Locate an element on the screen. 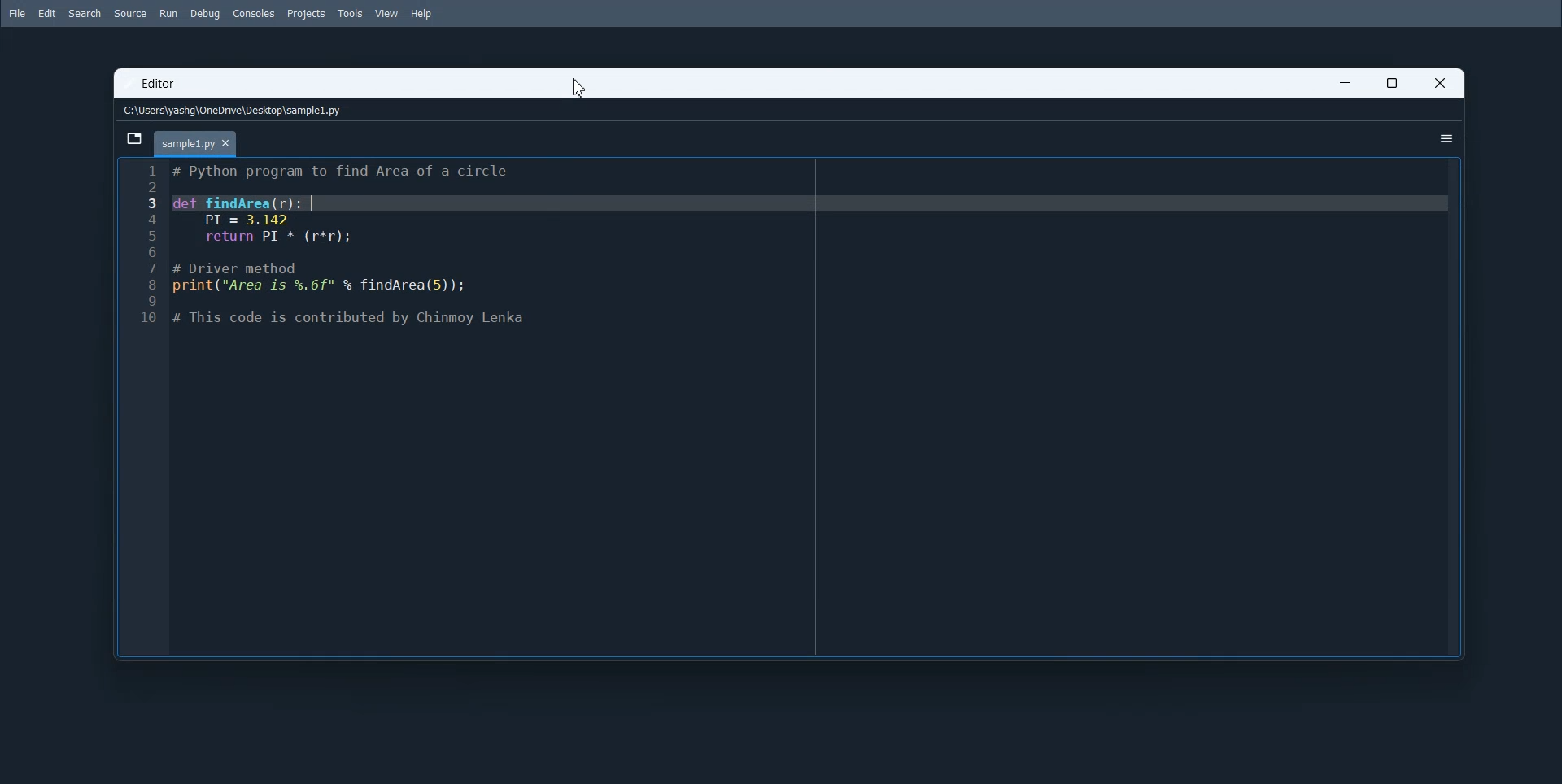 This screenshot has height=784, width=1562. Current File tab is located at coordinates (196, 144).